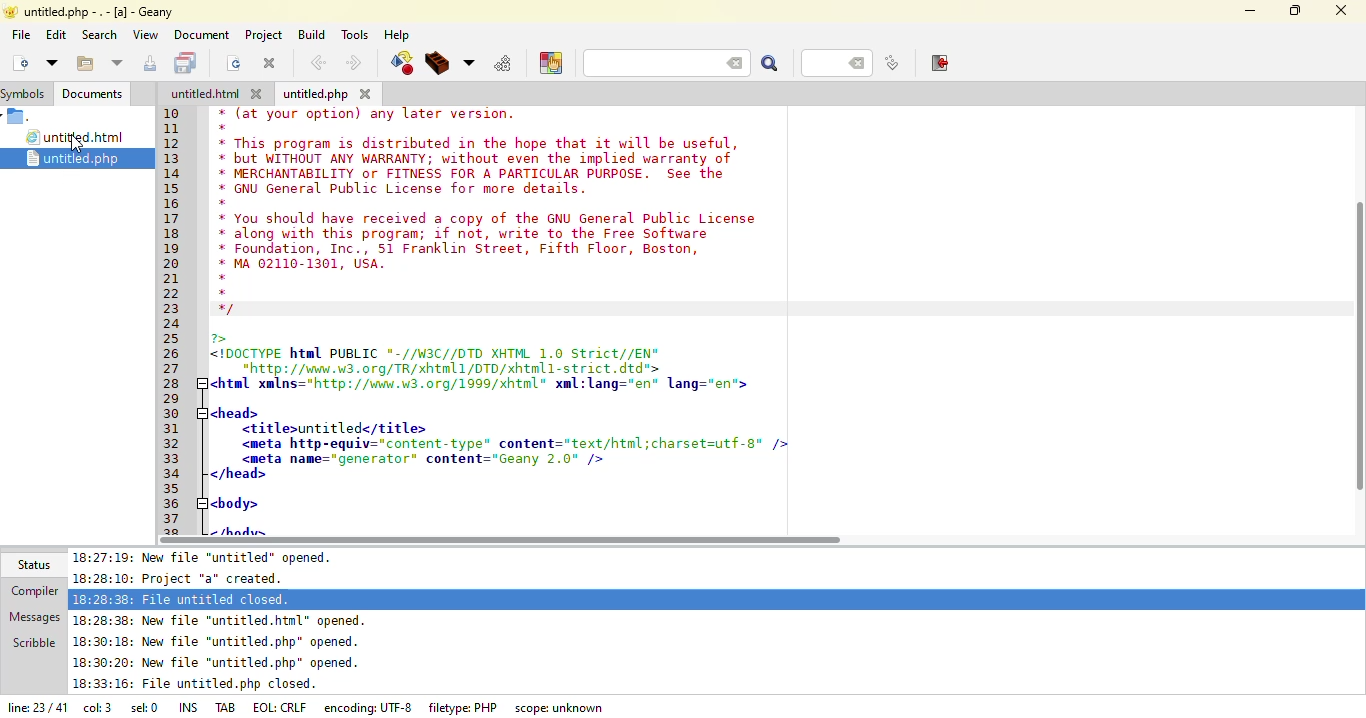 This screenshot has height=718, width=1366. What do you see at coordinates (257, 94) in the screenshot?
I see `close` at bounding box center [257, 94].